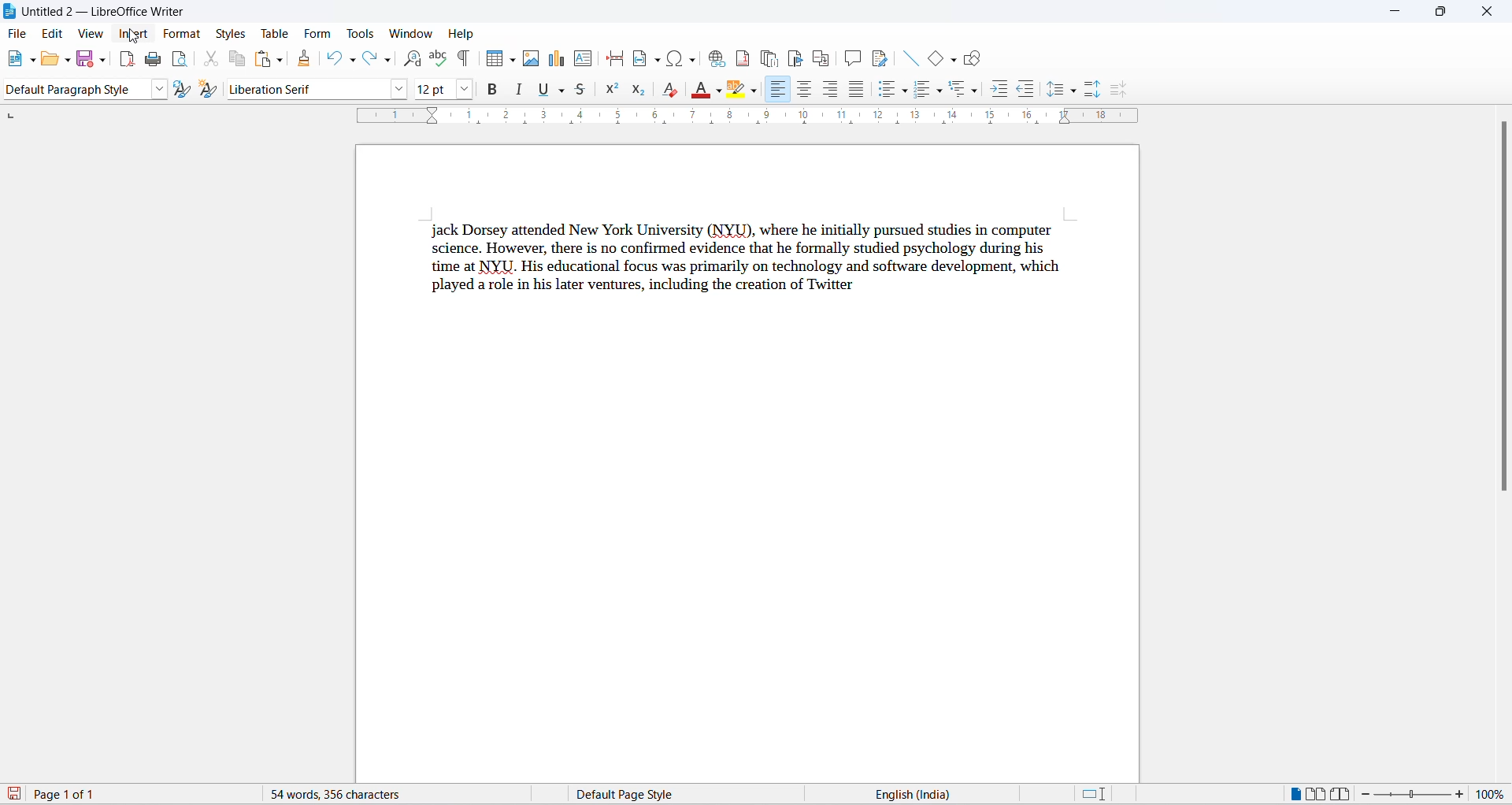 This screenshot has height=805, width=1512. I want to click on decrease zoom, so click(1370, 794).